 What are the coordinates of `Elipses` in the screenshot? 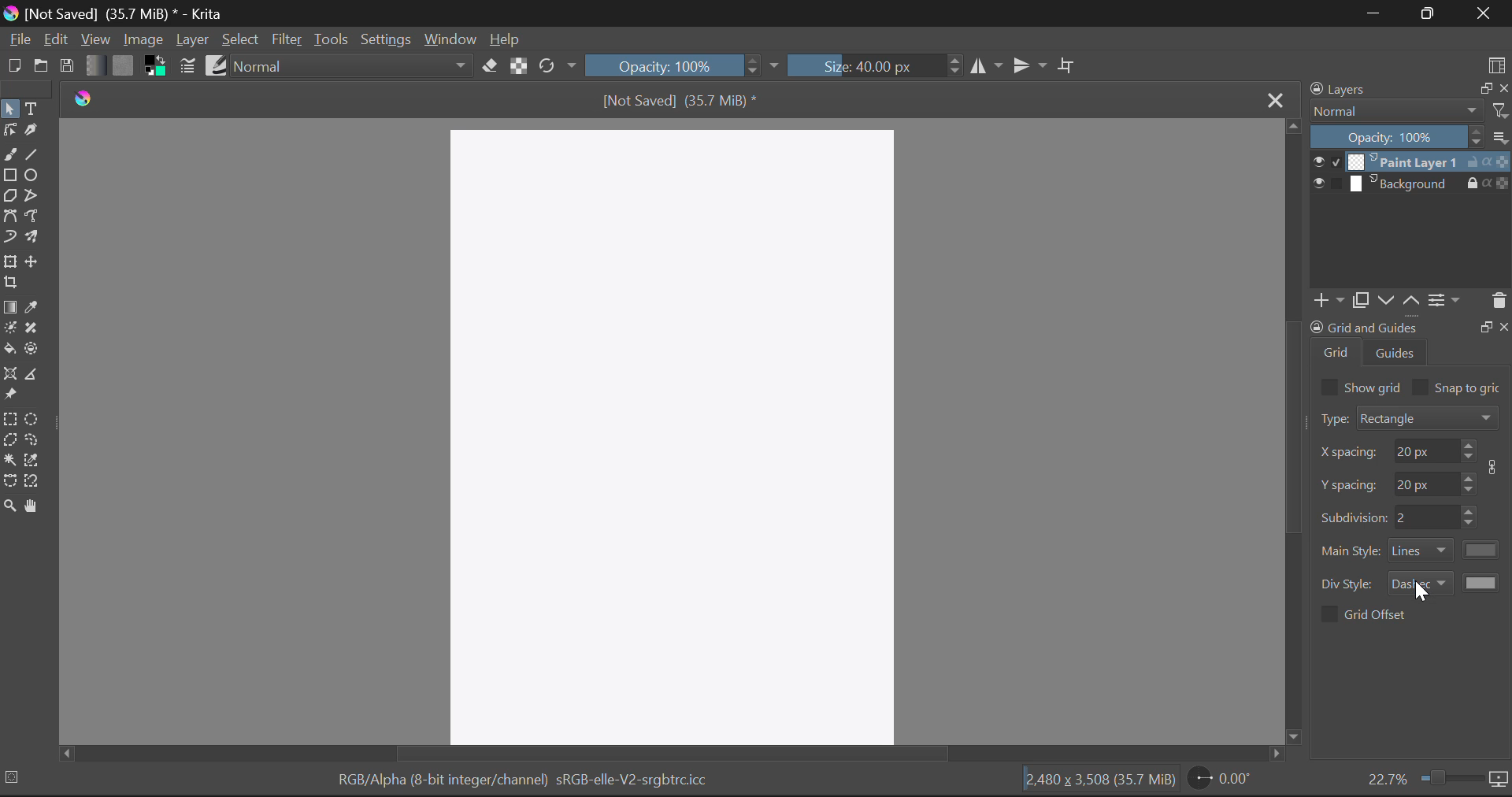 It's located at (32, 175).